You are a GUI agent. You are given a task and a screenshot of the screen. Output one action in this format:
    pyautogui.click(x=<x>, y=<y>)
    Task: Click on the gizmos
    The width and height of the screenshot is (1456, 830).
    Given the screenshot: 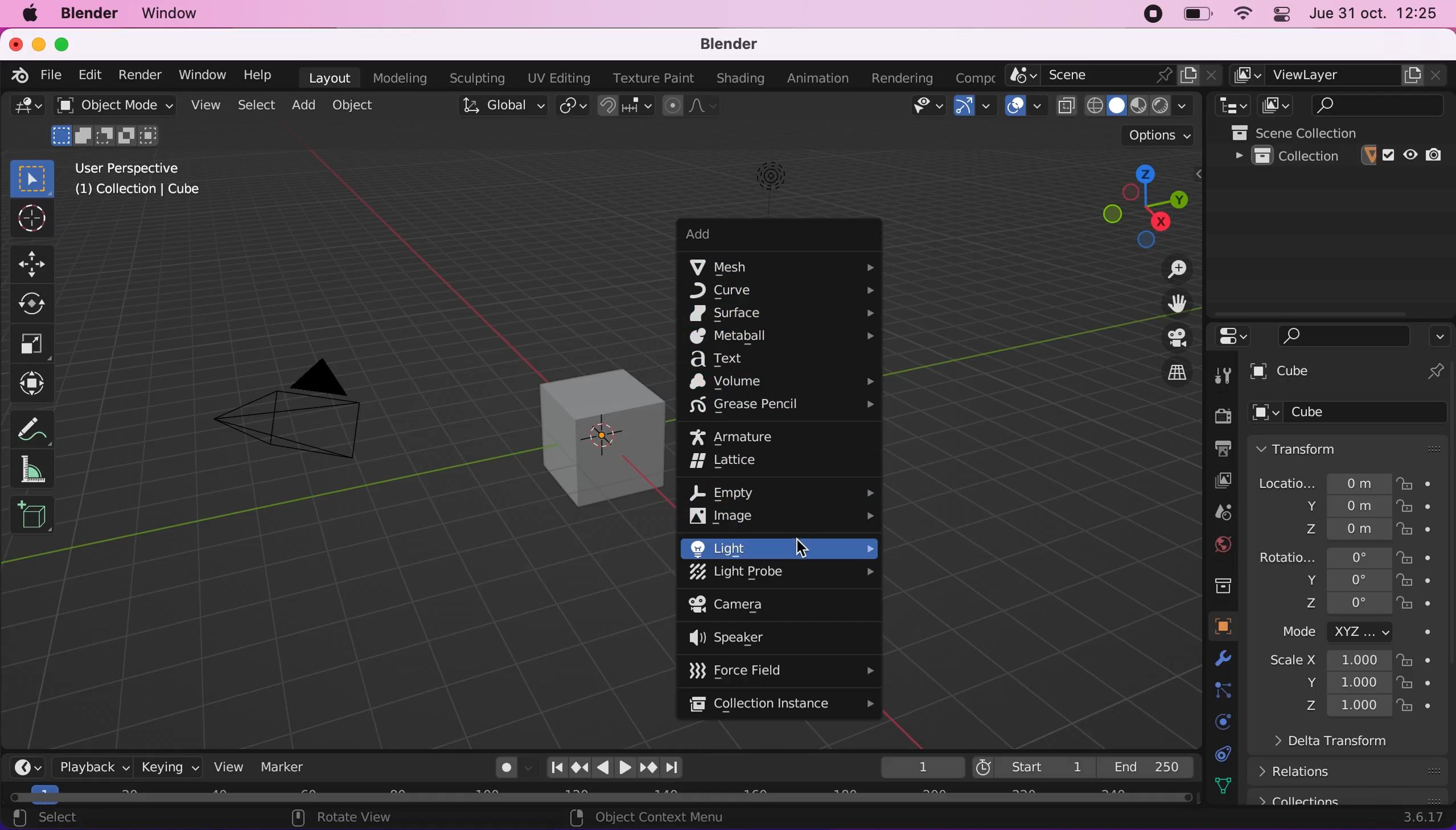 What is the action you would take?
    pyautogui.click(x=974, y=106)
    